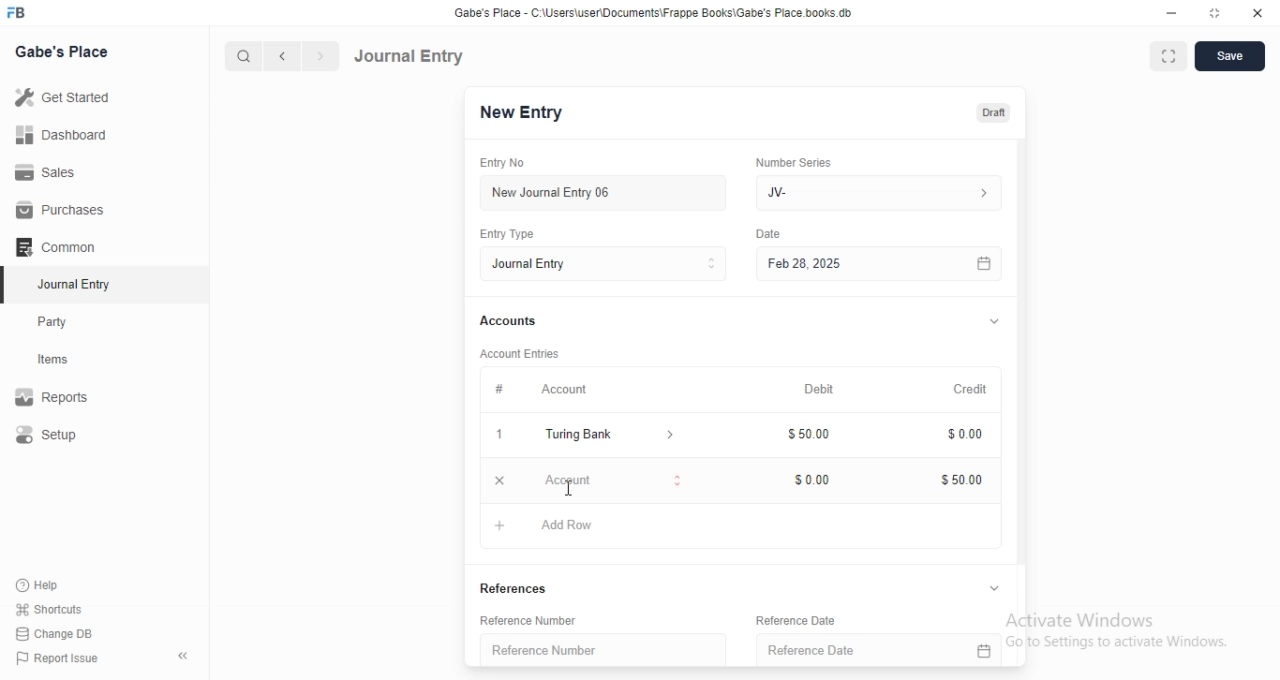  I want to click on Account, so click(549, 391).